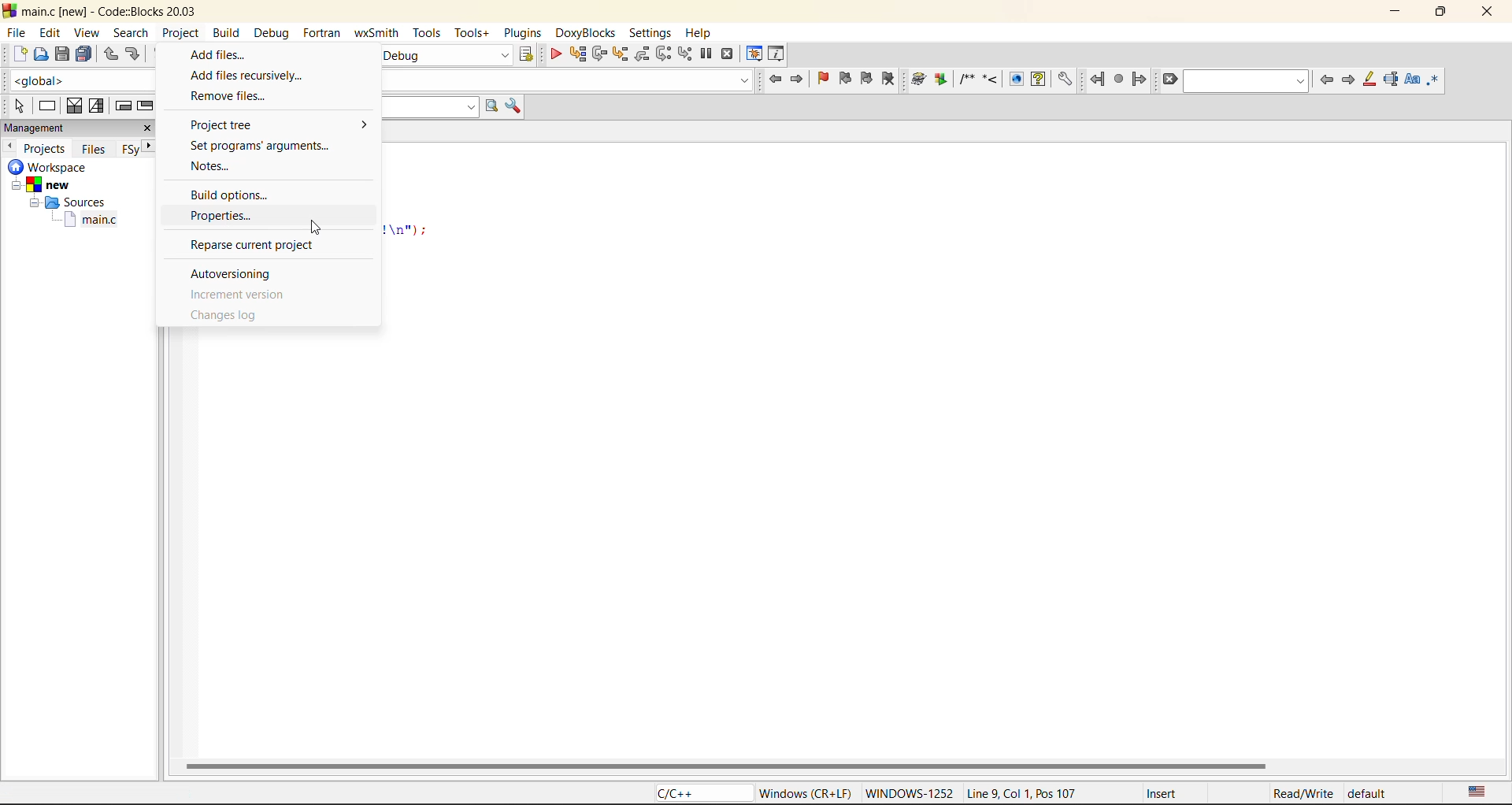  What do you see at coordinates (584, 33) in the screenshot?
I see `doxyblocks` at bounding box center [584, 33].